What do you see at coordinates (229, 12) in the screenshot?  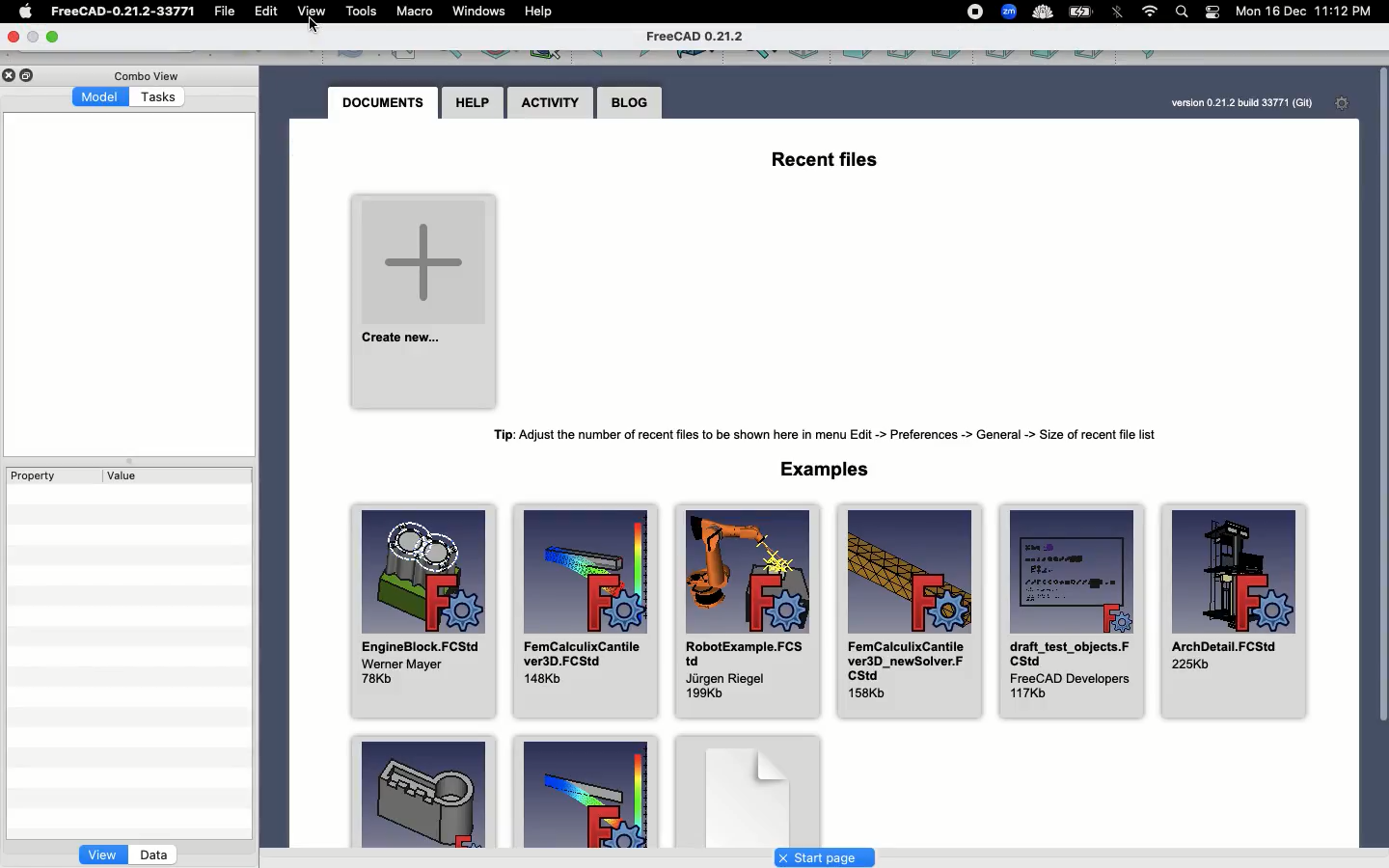 I see `File` at bounding box center [229, 12].